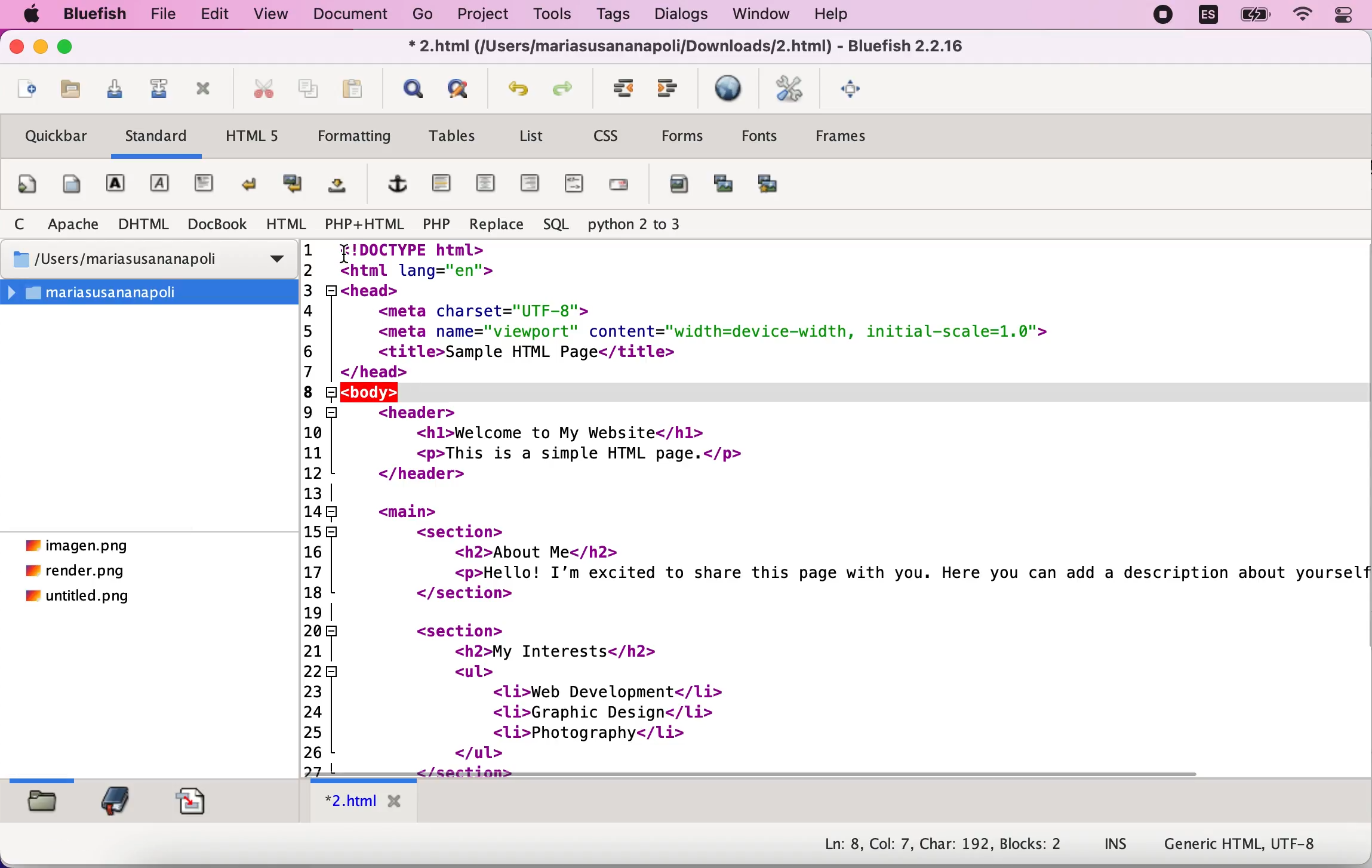  I want to click on Scroll bar, so click(817, 775).